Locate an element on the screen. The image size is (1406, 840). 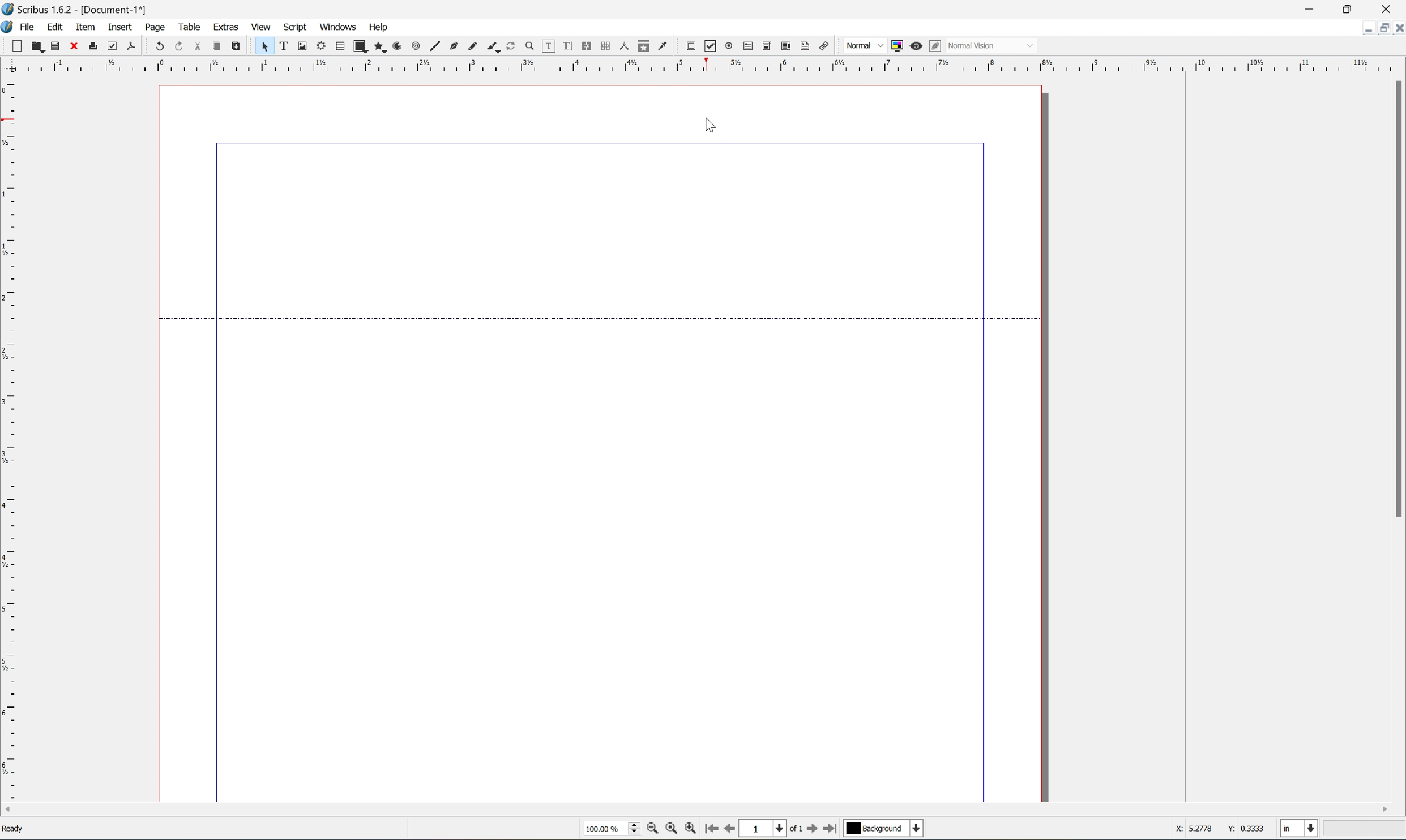
Background is located at coordinates (883, 829).